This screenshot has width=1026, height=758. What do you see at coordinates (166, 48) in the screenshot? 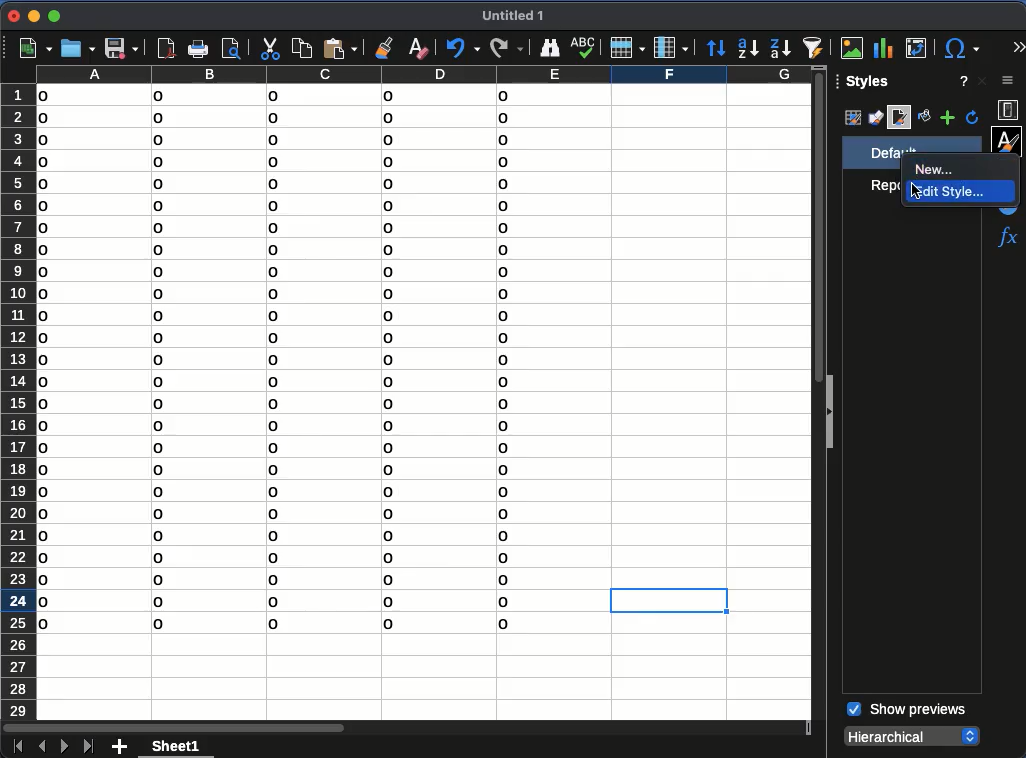
I see `pdf viewer` at bounding box center [166, 48].